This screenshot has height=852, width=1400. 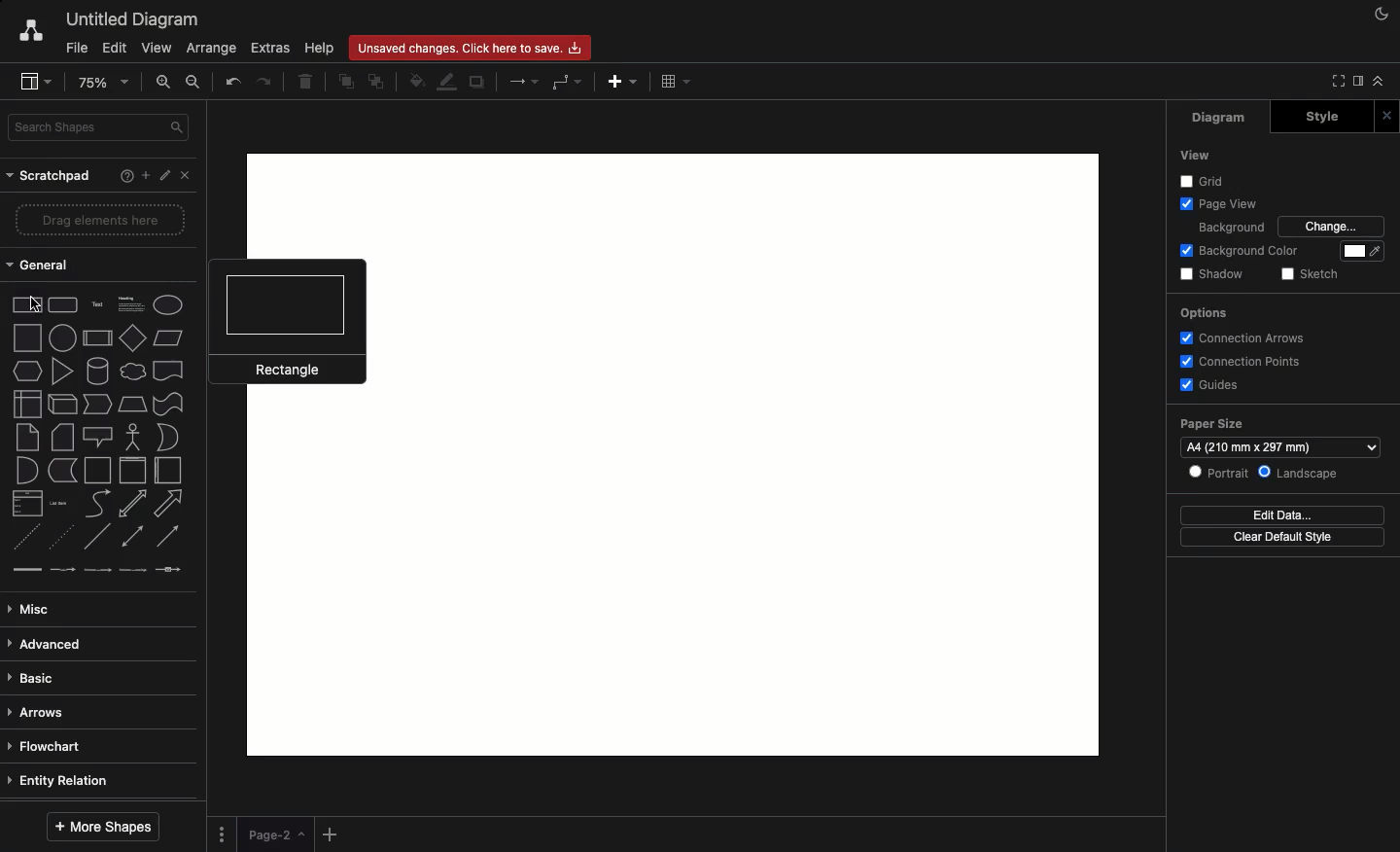 What do you see at coordinates (287, 322) in the screenshot?
I see `Rectangle` at bounding box center [287, 322].